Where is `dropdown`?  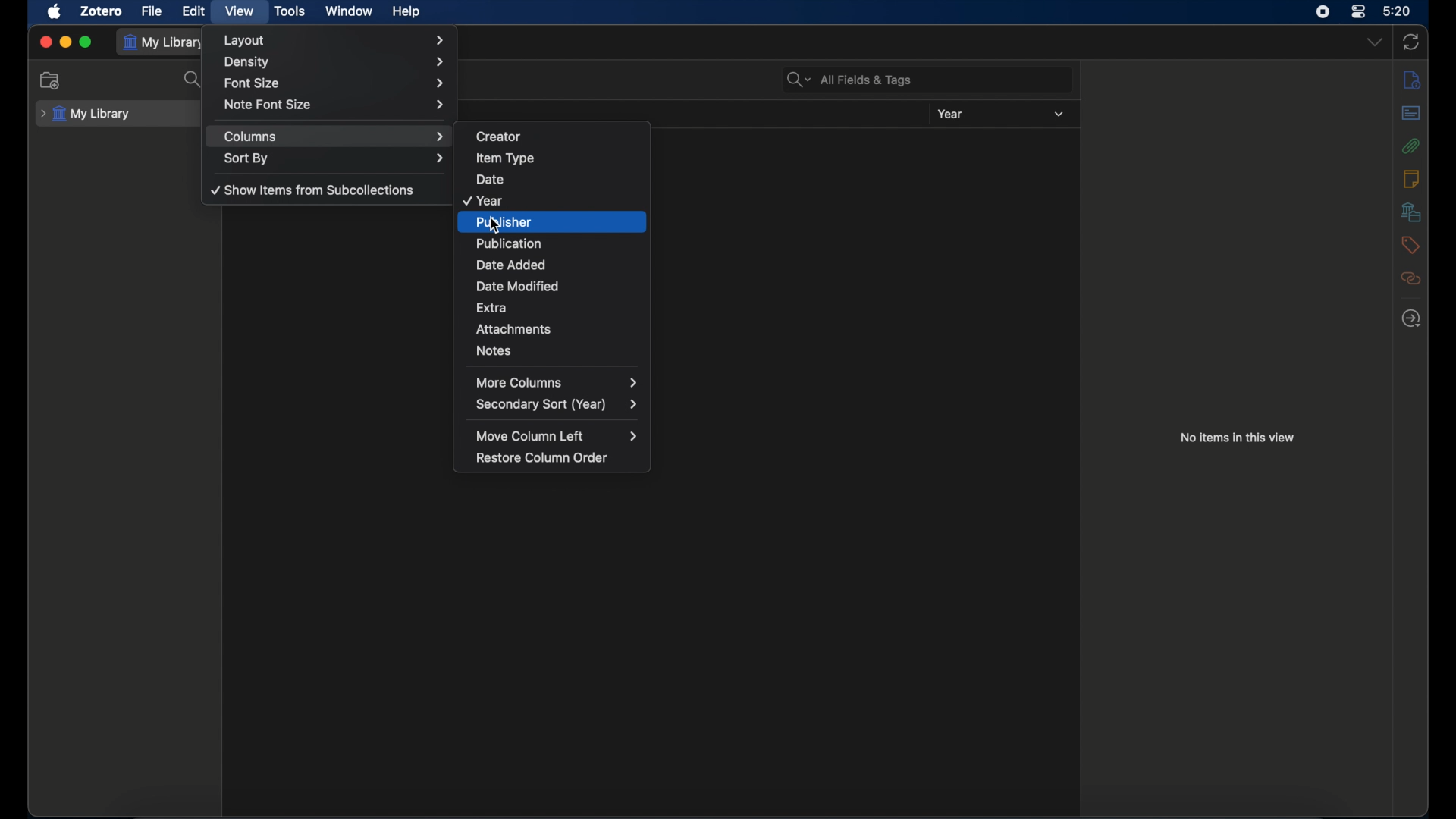 dropdown is located at coordinates (1373, 41).